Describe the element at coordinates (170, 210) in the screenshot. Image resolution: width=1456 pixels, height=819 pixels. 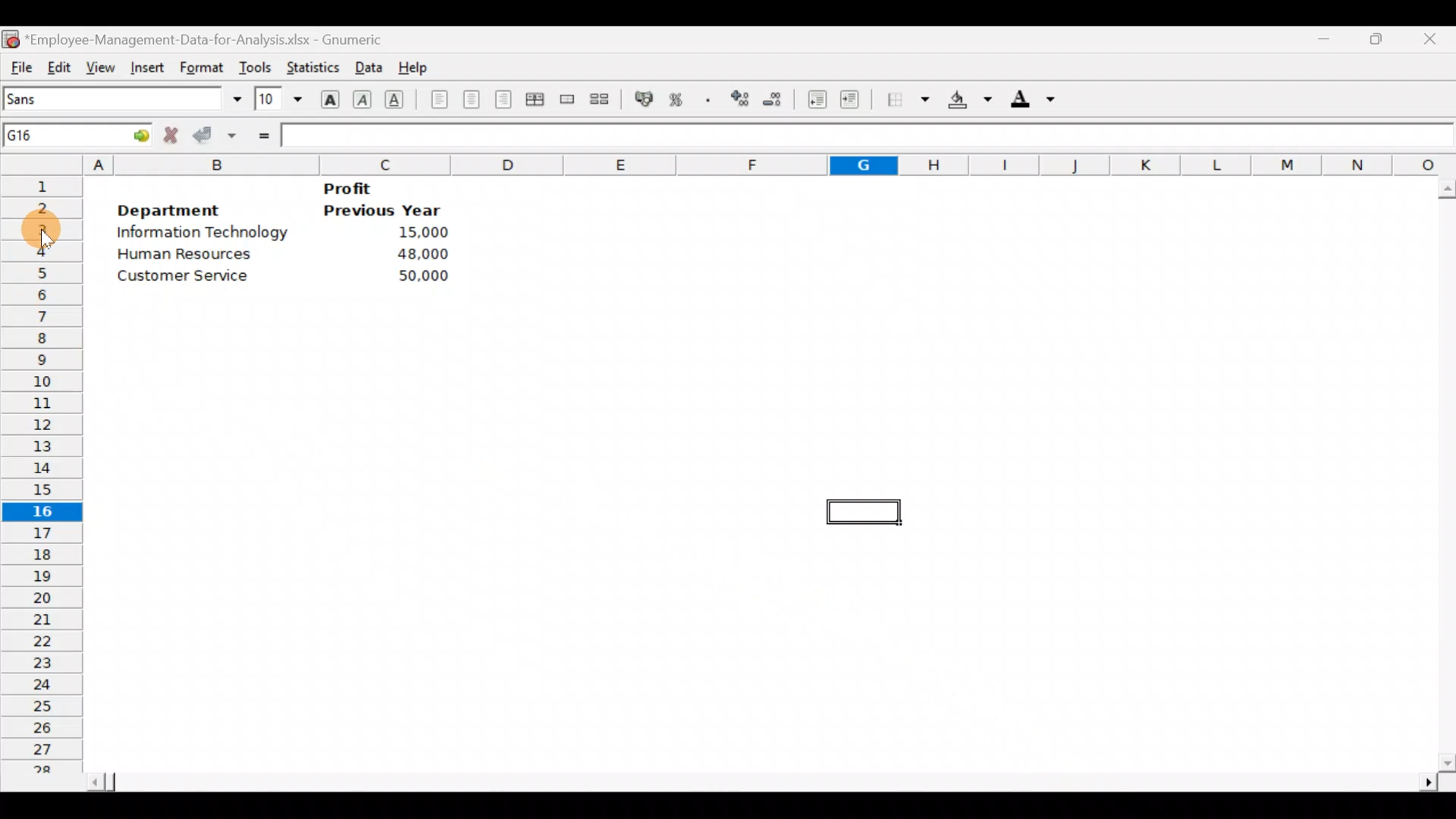
I see `Department` at that location.